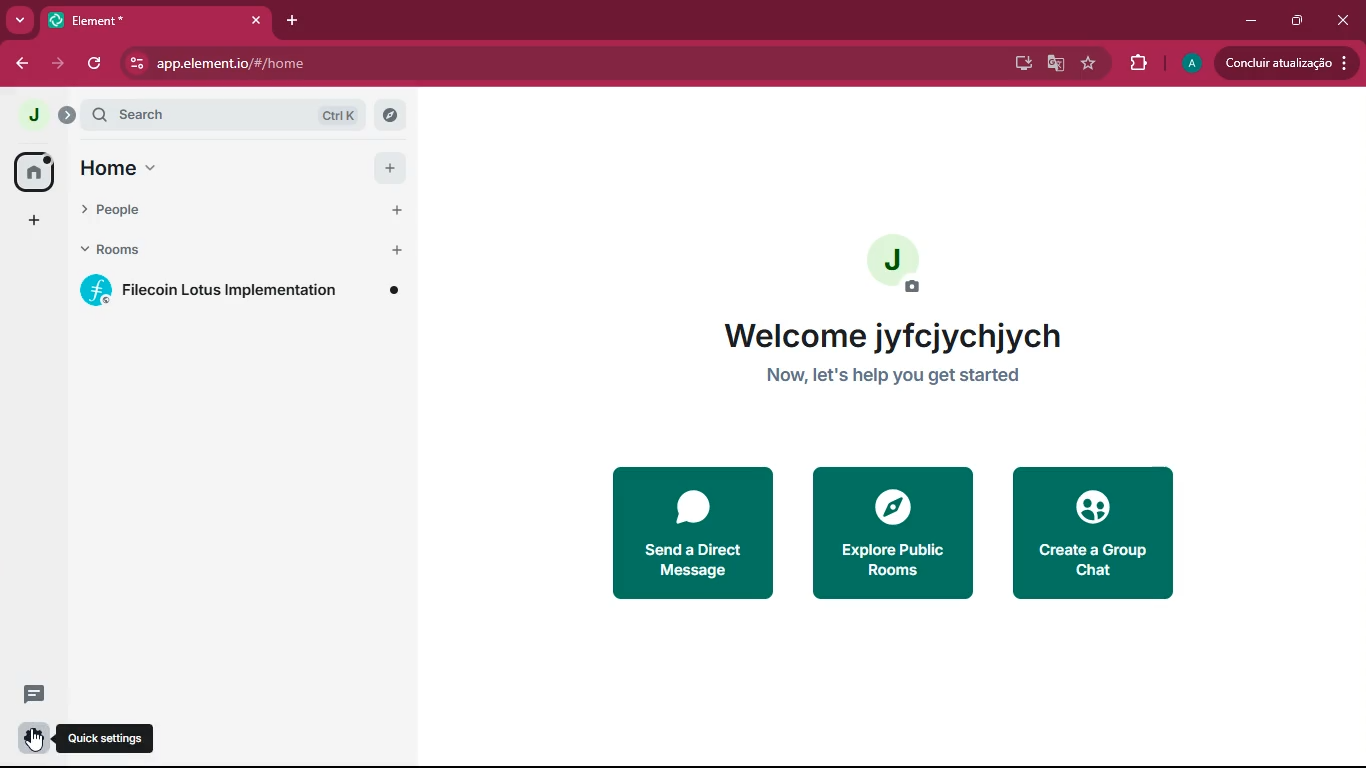 The width and height of the screenshot is (1366, 768). Describe the element at coordinates (30, 117) in the screenshot. I see `j` at that location.